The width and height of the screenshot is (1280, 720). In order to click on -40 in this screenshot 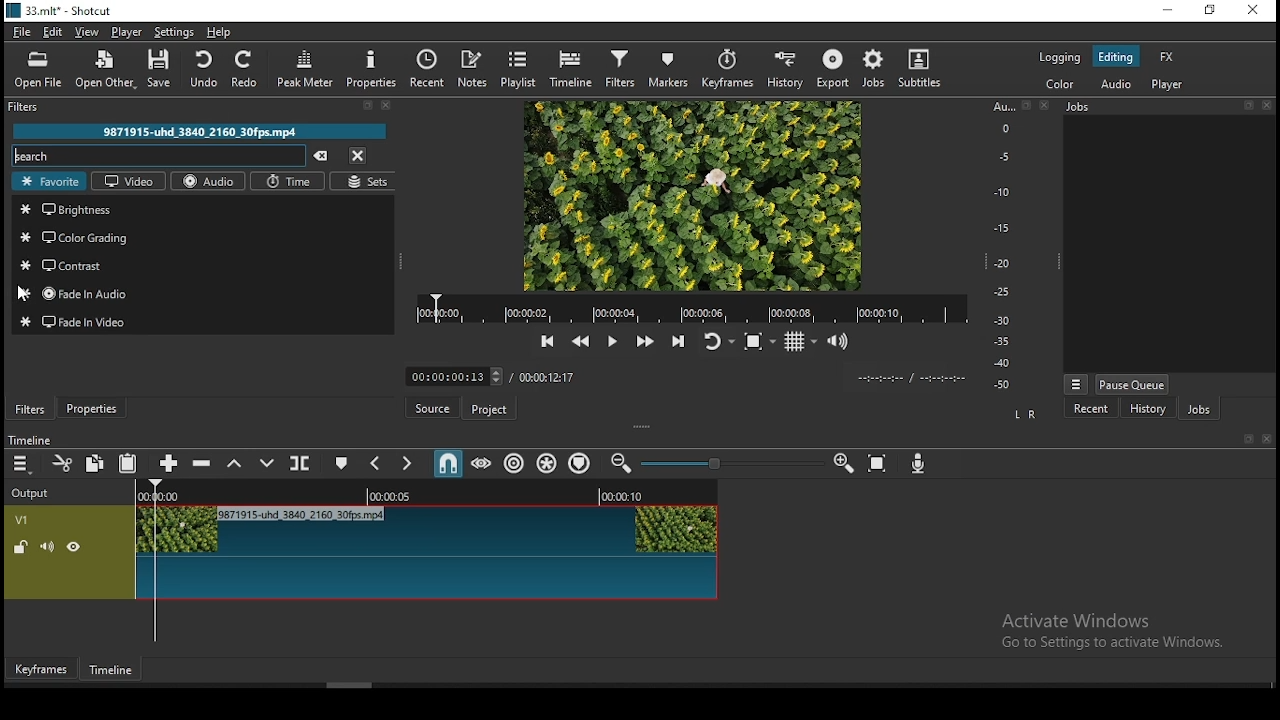, I will do `click(1004, 362)`.